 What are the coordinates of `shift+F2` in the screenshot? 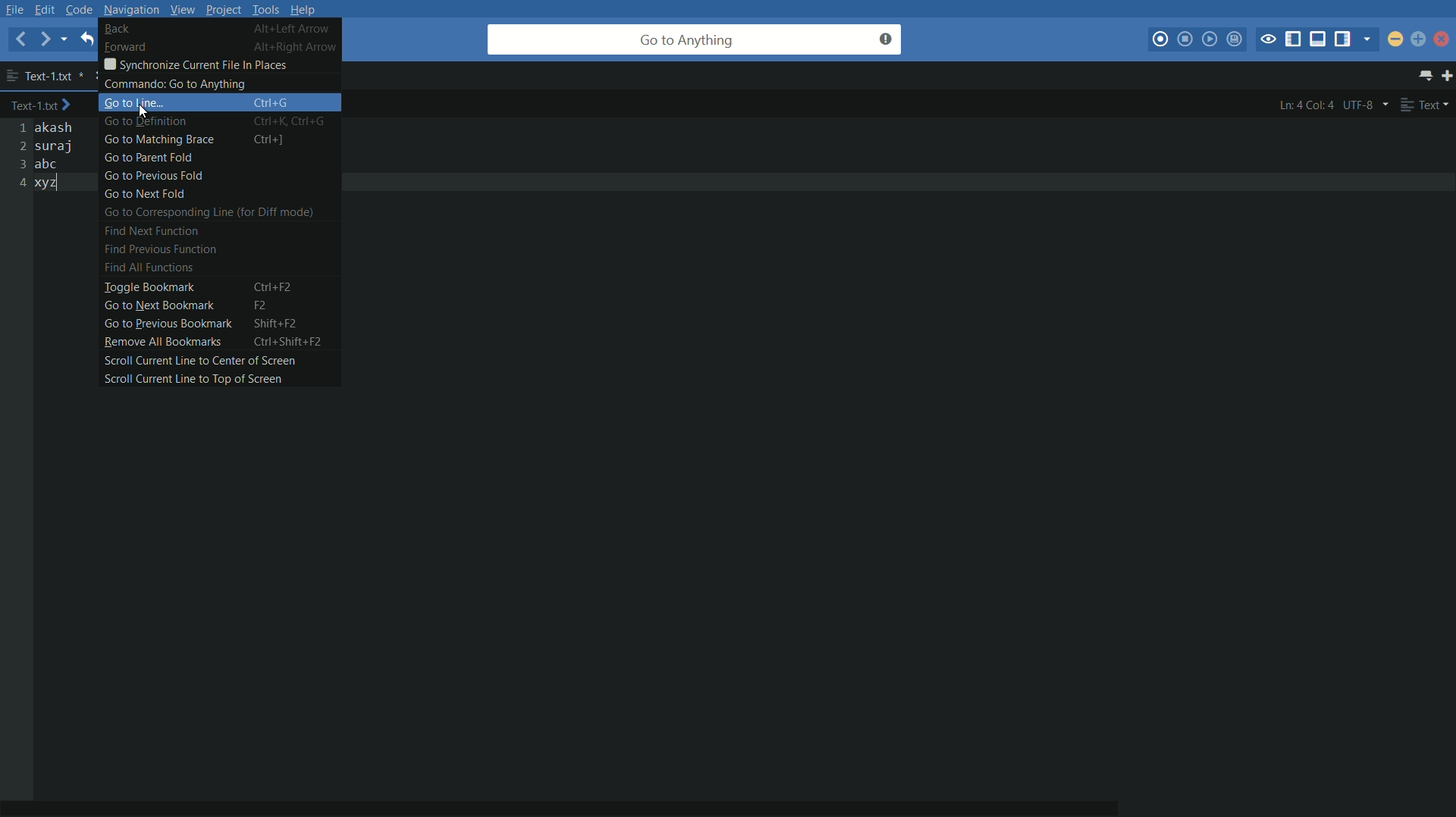 It's located at (275, 324).